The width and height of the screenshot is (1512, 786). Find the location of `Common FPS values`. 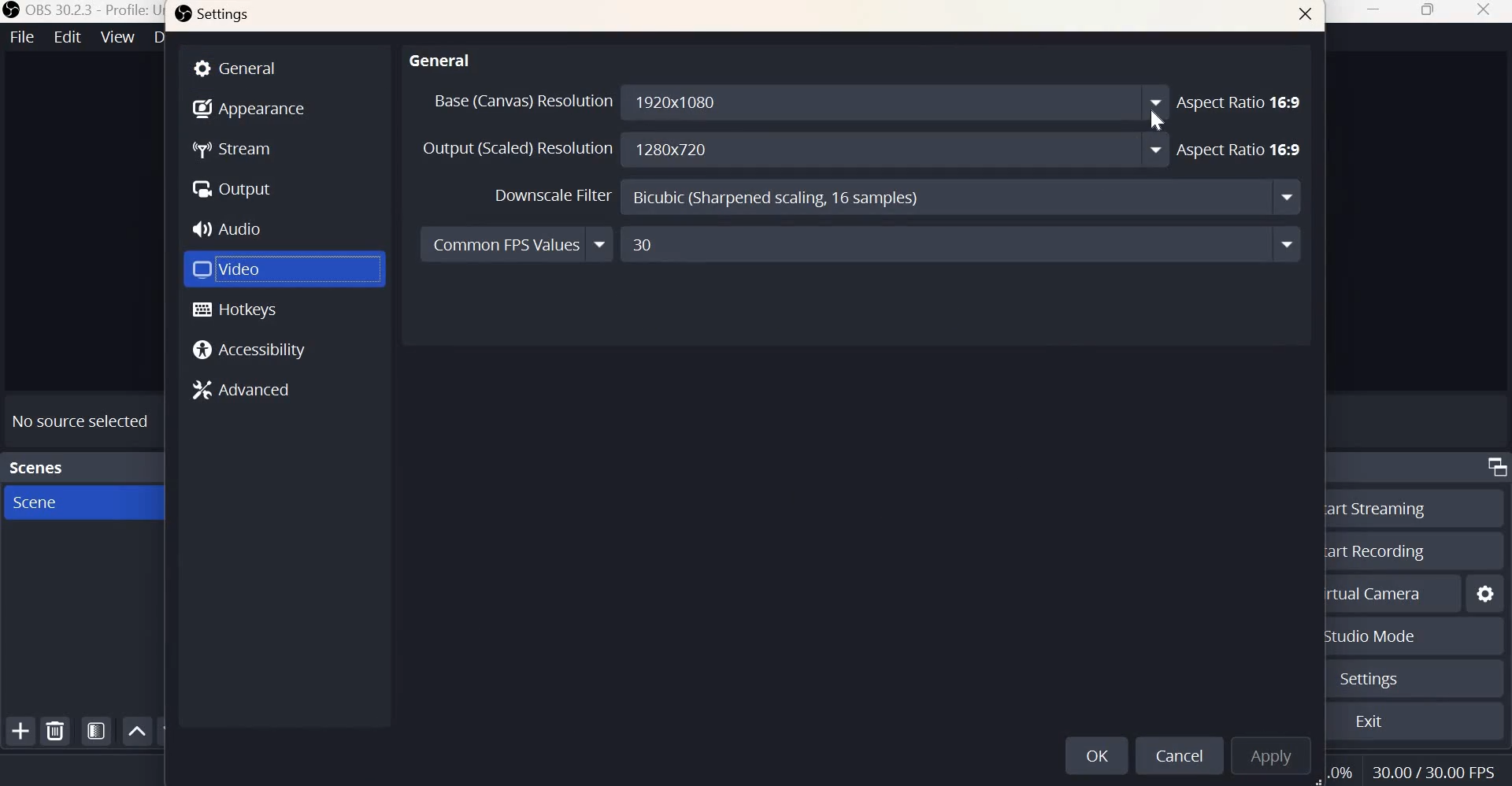

Common FPS values is located at coordinates (517, 245).